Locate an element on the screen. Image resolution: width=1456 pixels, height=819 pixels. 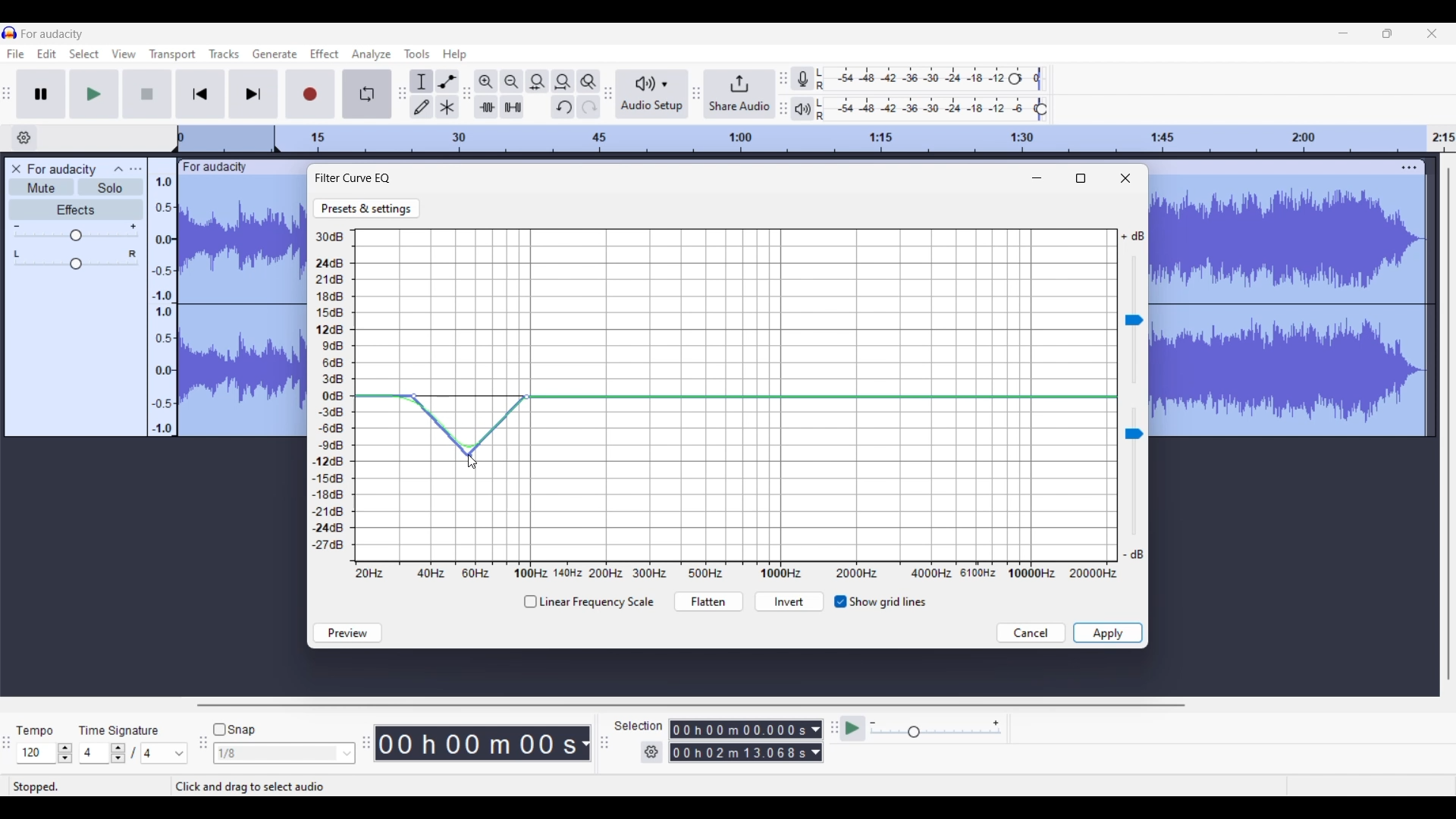
TIme signature is located at coordinates (120, 729).